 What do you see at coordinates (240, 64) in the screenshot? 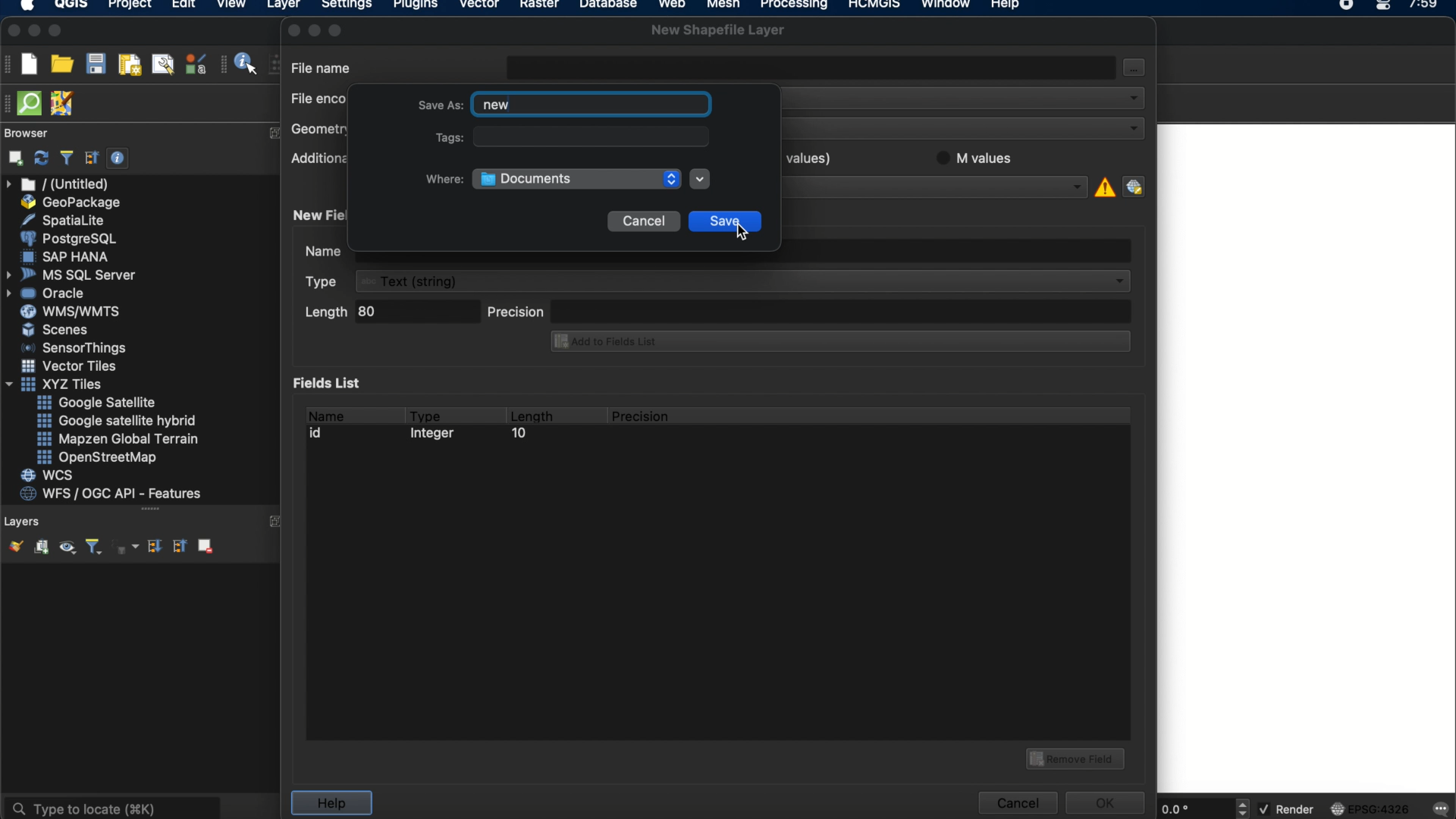
I see `identify features` at bounding box center [240, 64].